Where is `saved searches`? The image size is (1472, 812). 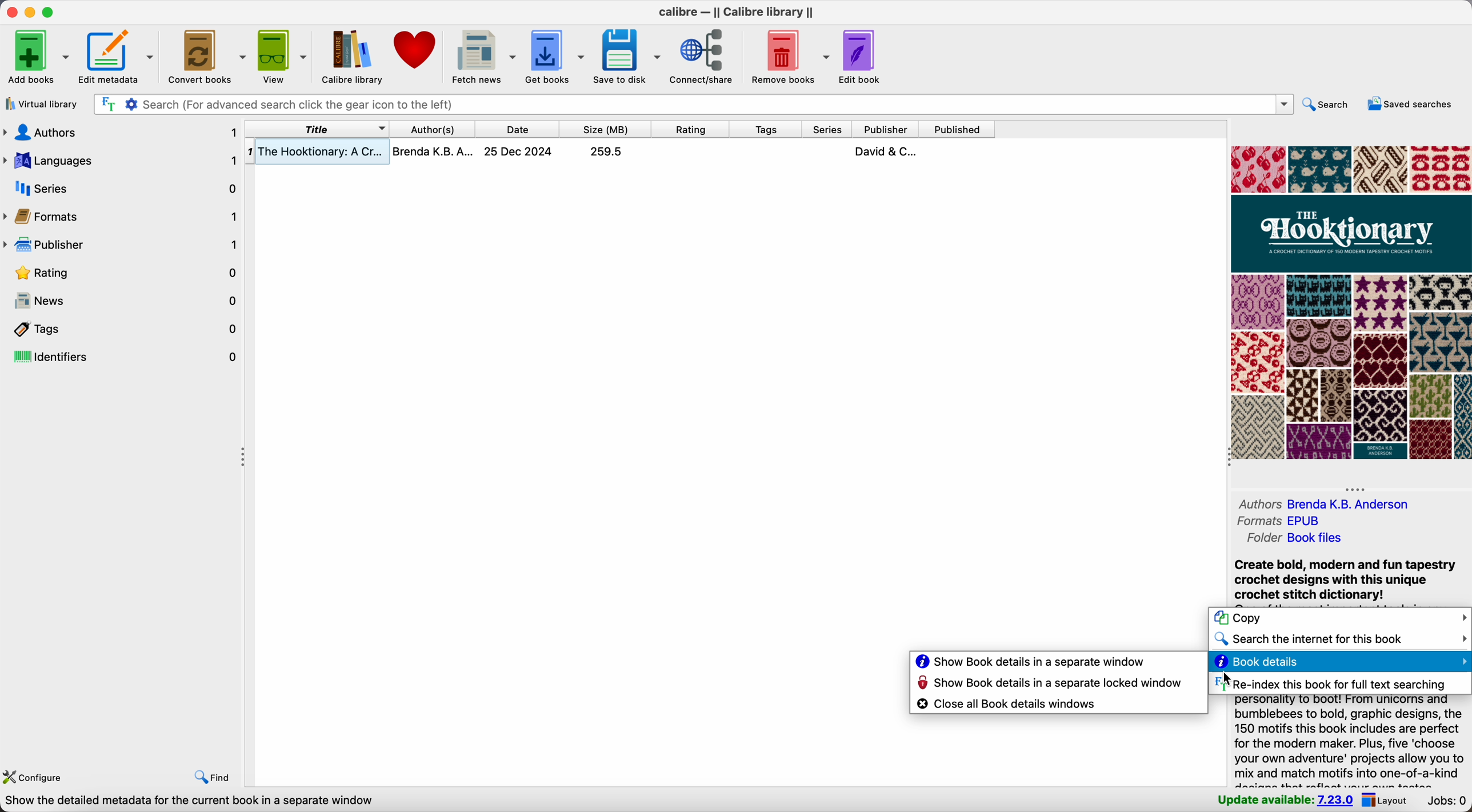 saved searches is located at coordinates (1410, 104).